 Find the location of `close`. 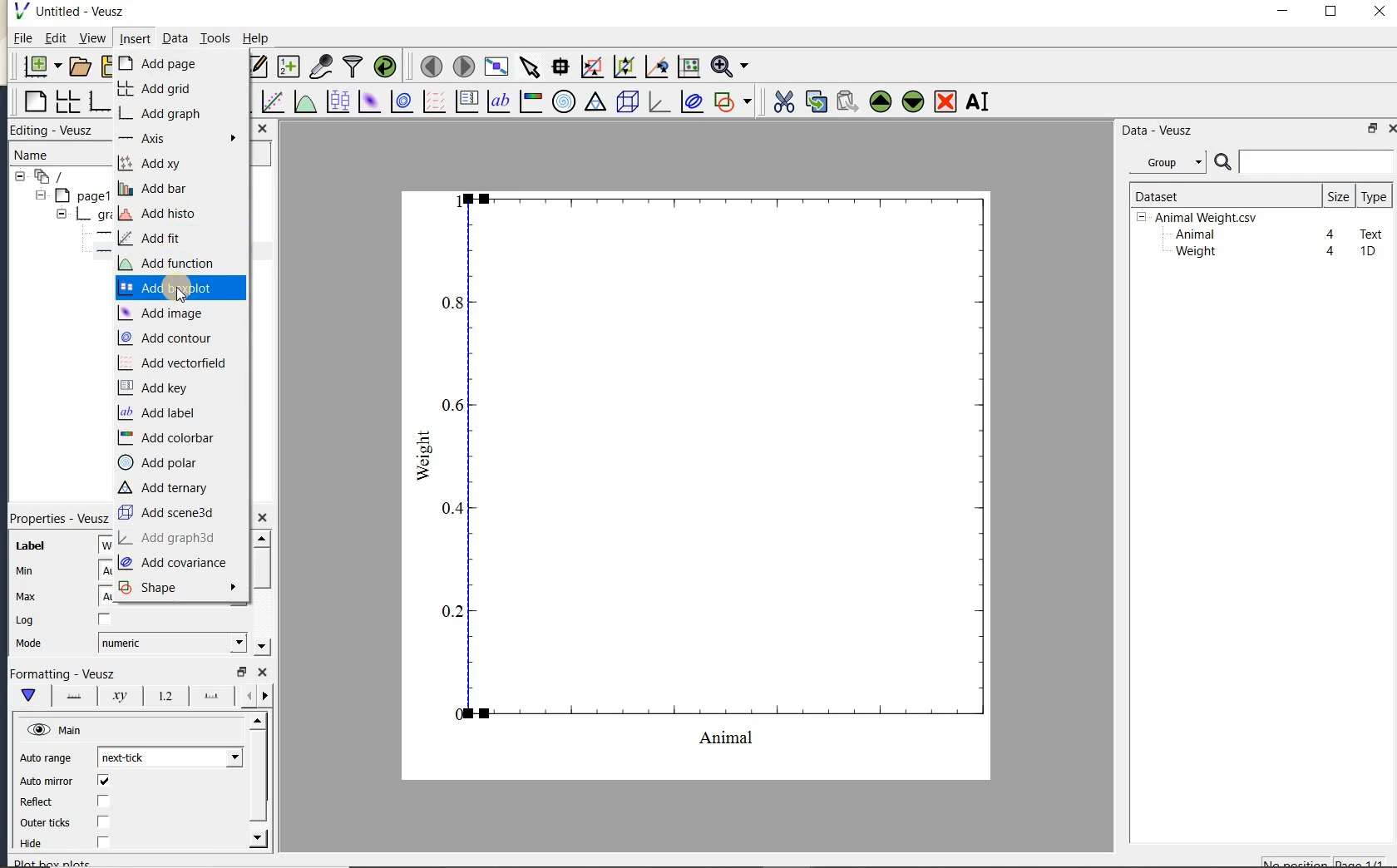

close is located at coordinates (262, 518).